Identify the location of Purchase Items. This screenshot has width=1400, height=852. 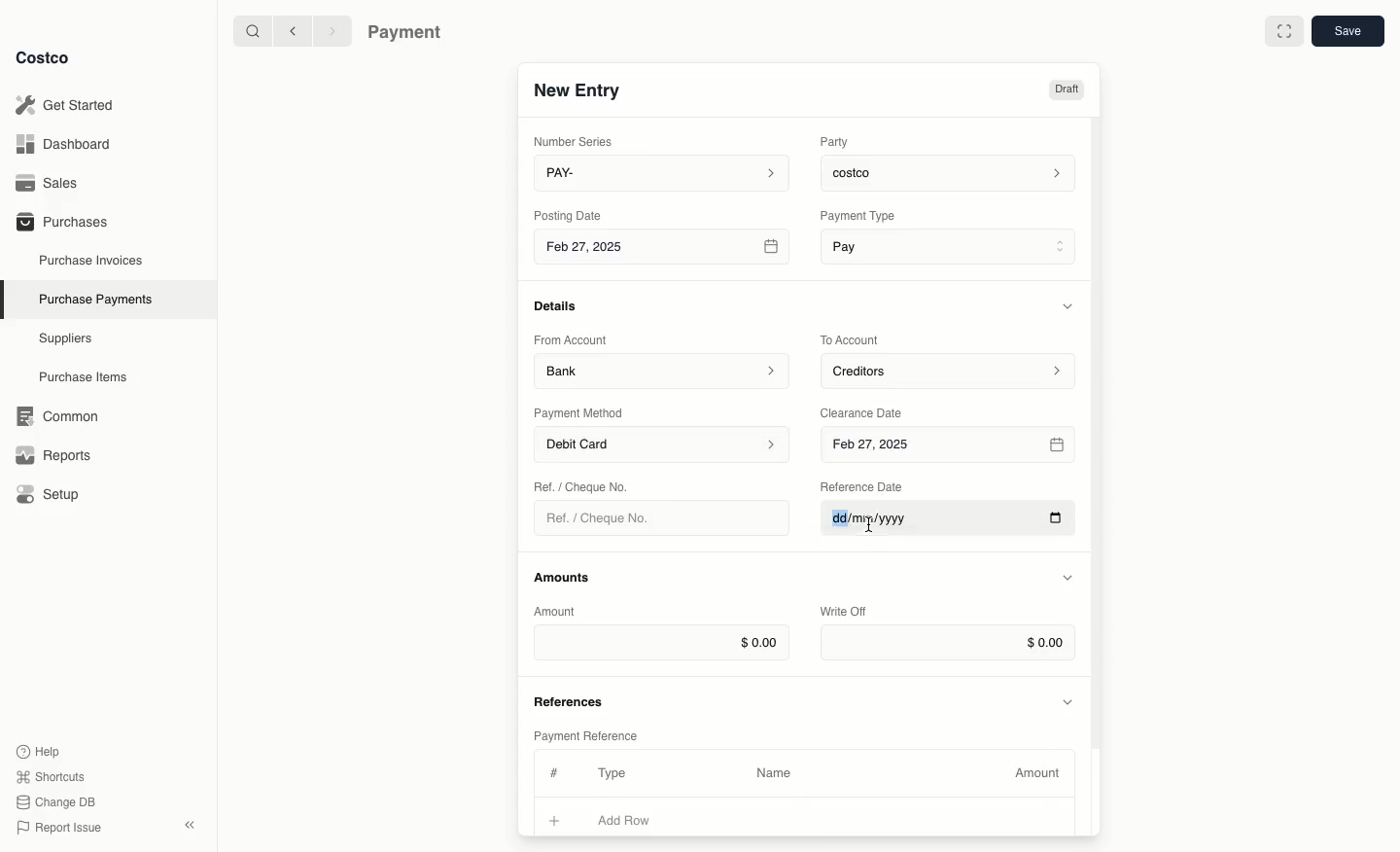
(86, 377).